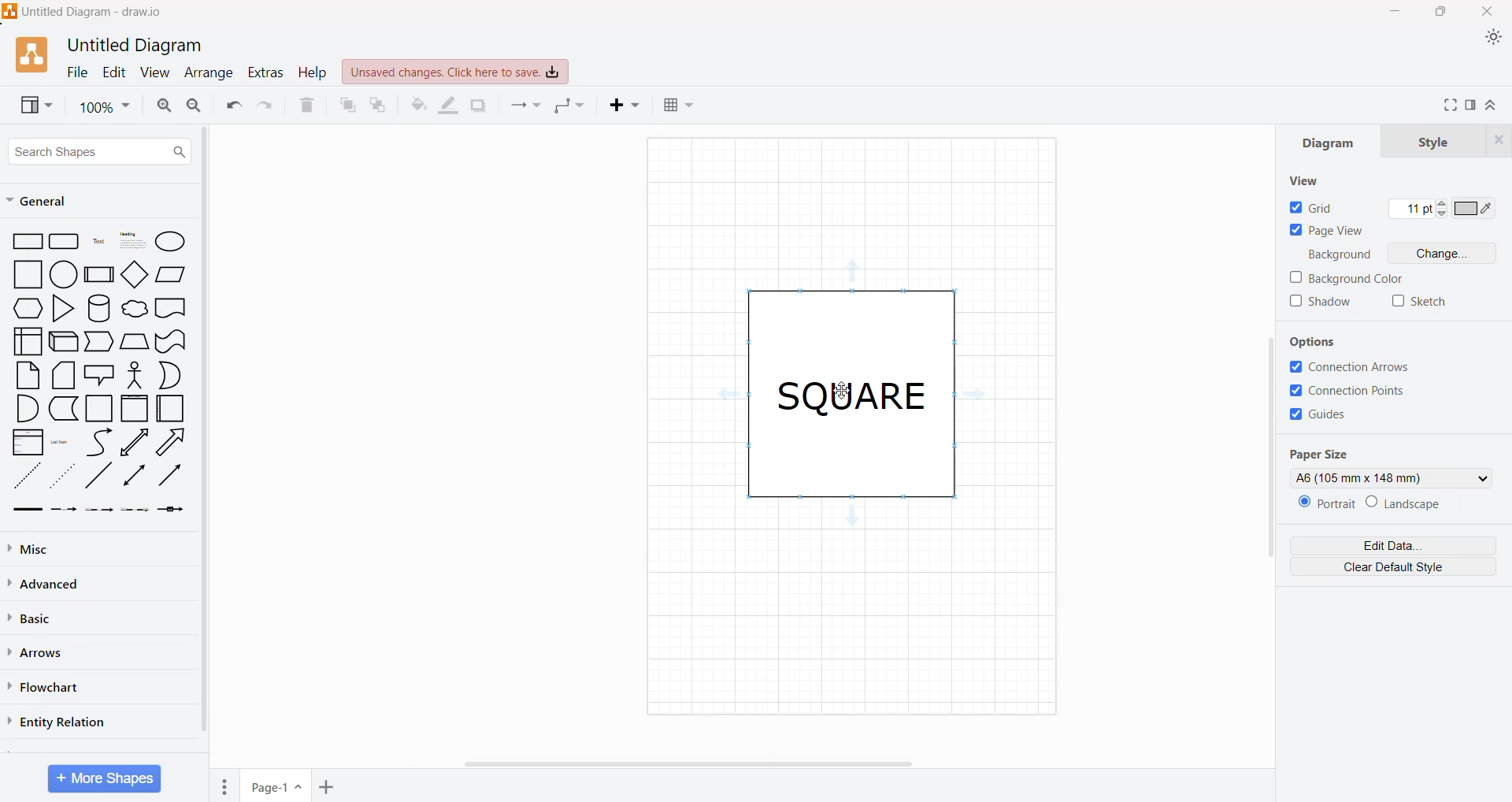 Image resolution: width=1512 pixels, height=802 pixels. Describe the element at coordinates (24, 240) in the screenshot. I see `Rectangle` at that location.